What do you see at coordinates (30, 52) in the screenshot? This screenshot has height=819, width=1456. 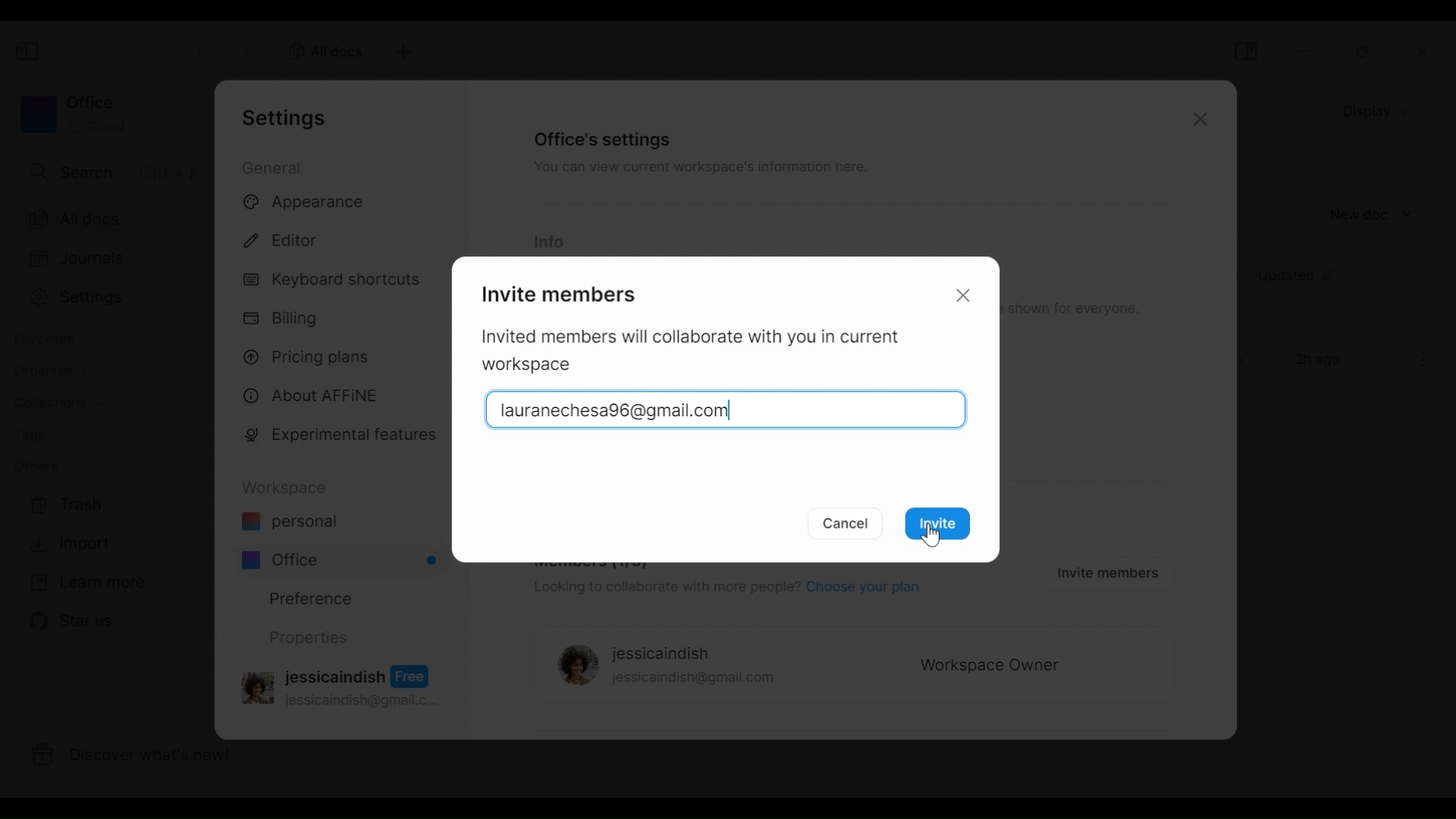 I see `Show/Hide Sidebar` at bounding box center [30, 52].